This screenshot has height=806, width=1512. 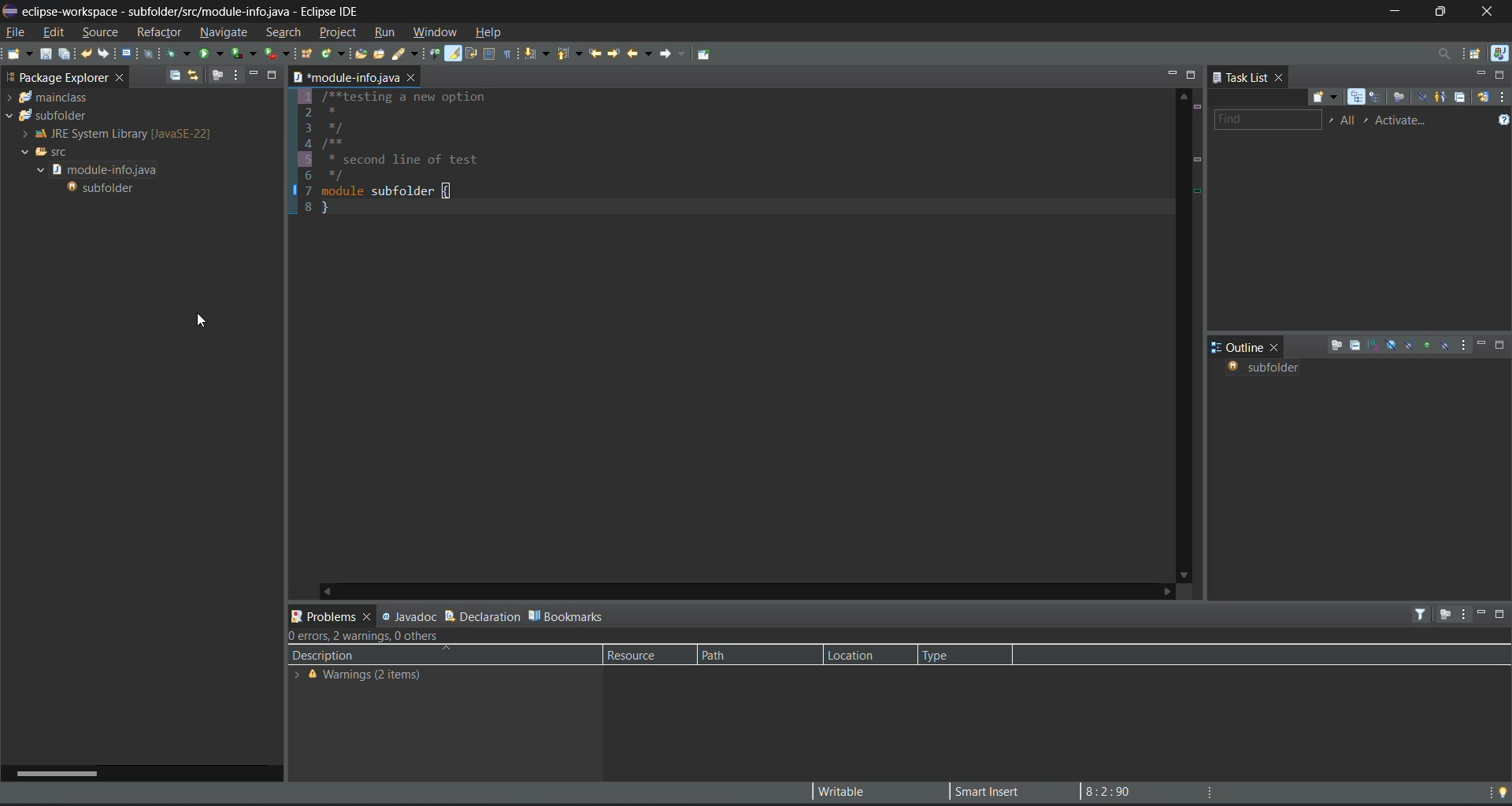 I want to click on next annotation, so click(x=539, y=55).